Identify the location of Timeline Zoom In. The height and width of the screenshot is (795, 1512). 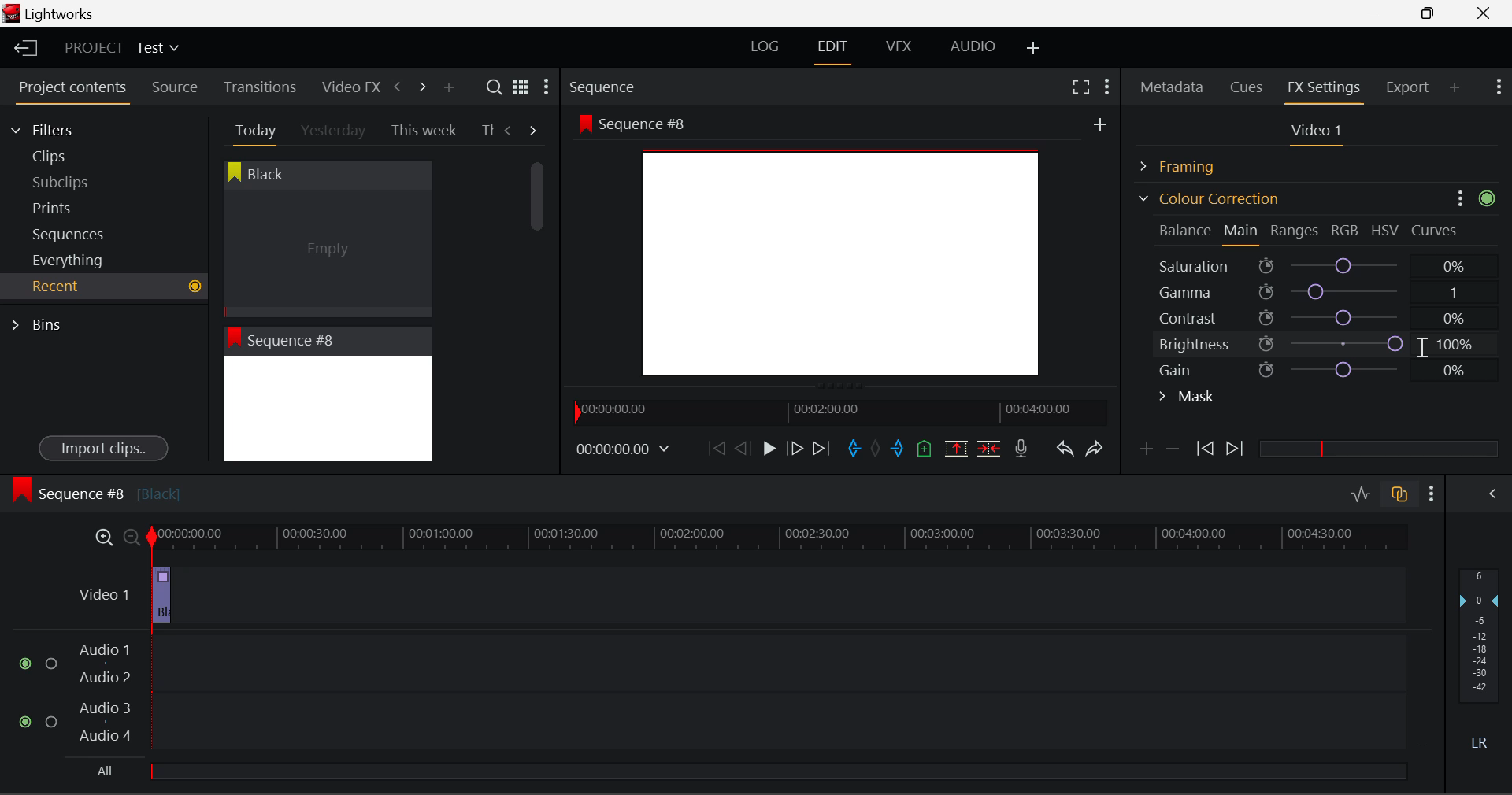
(101, 537).